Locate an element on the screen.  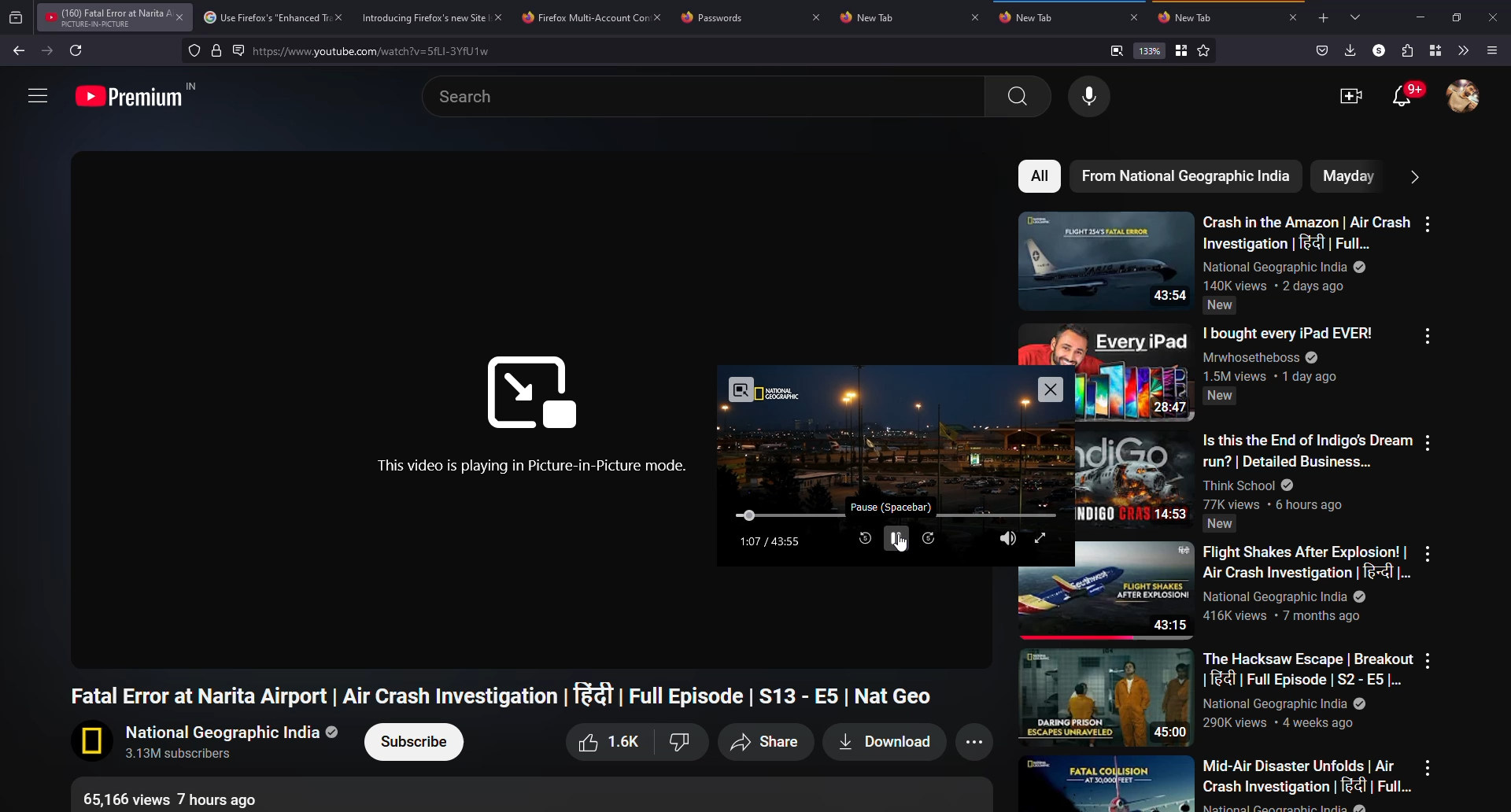
pause is located at coordinates (897, 538).